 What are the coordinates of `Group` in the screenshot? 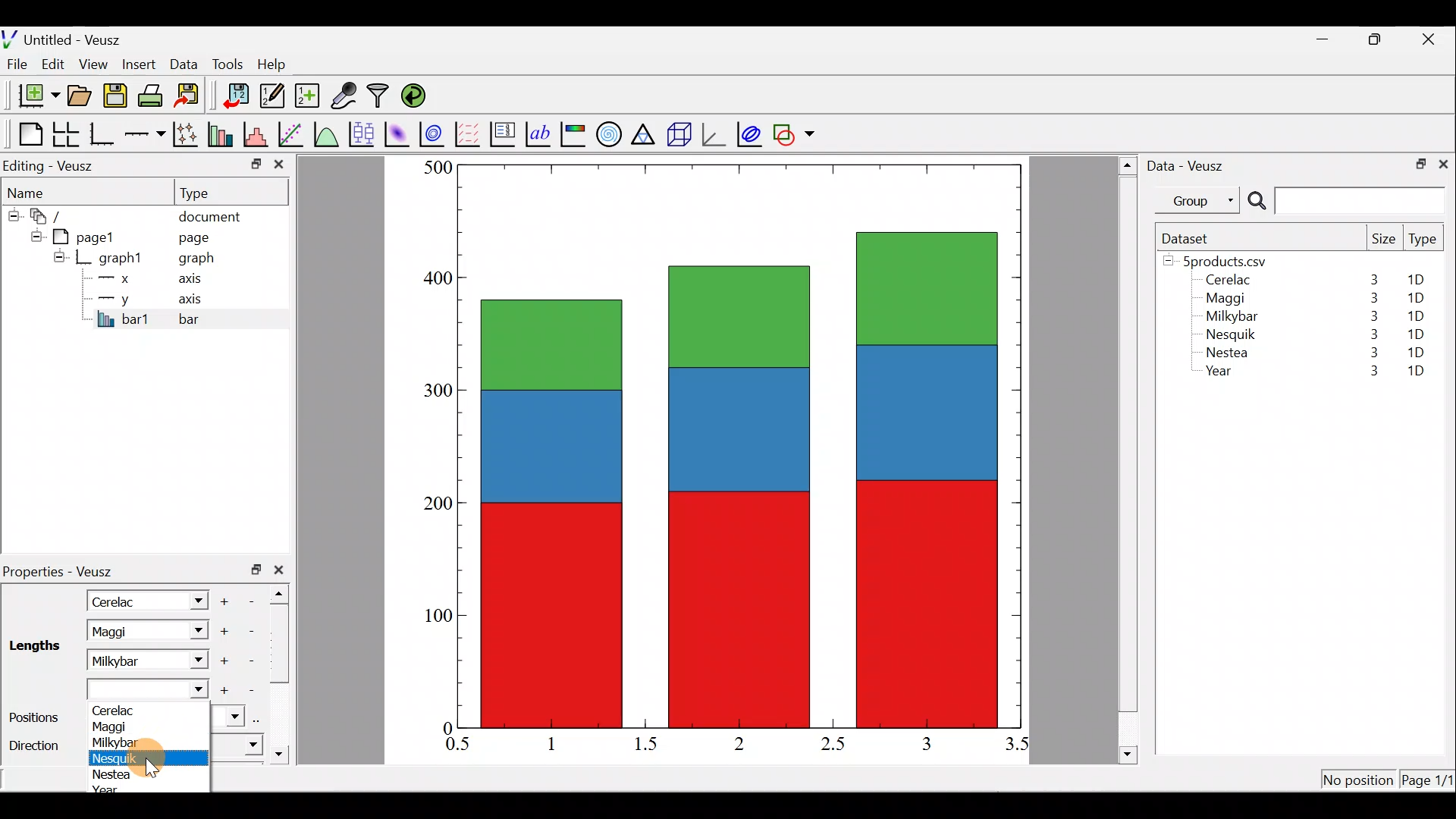 It's located at (1200, 199).